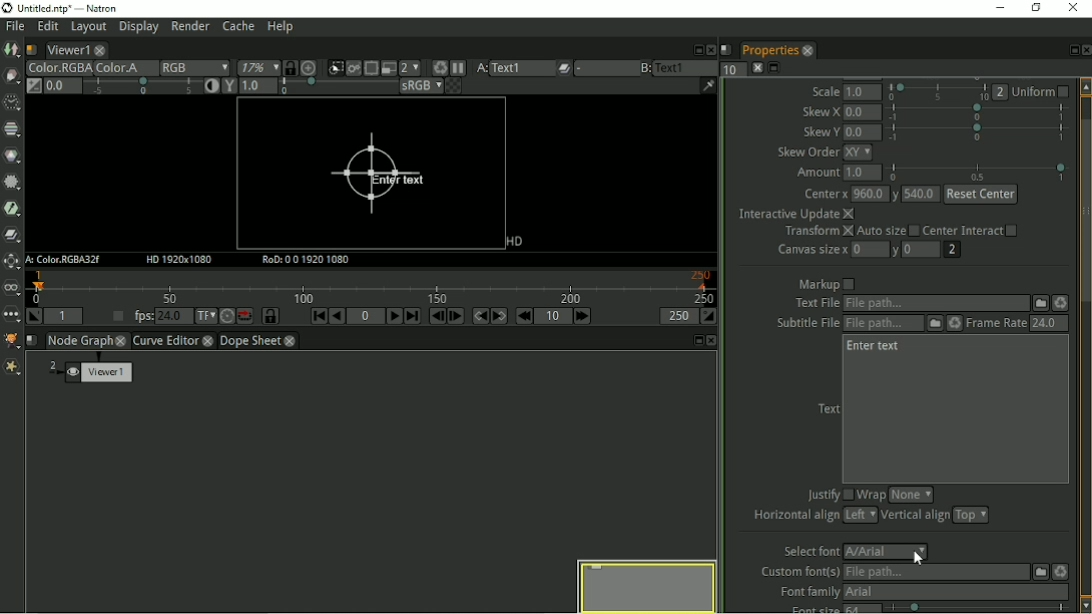 The height and width of the screenshot is (614, 1092). What do you see at coordinates (115, 317) in the screenshot?
I see `Set playback frame rate` at bounding box center [115, 317].